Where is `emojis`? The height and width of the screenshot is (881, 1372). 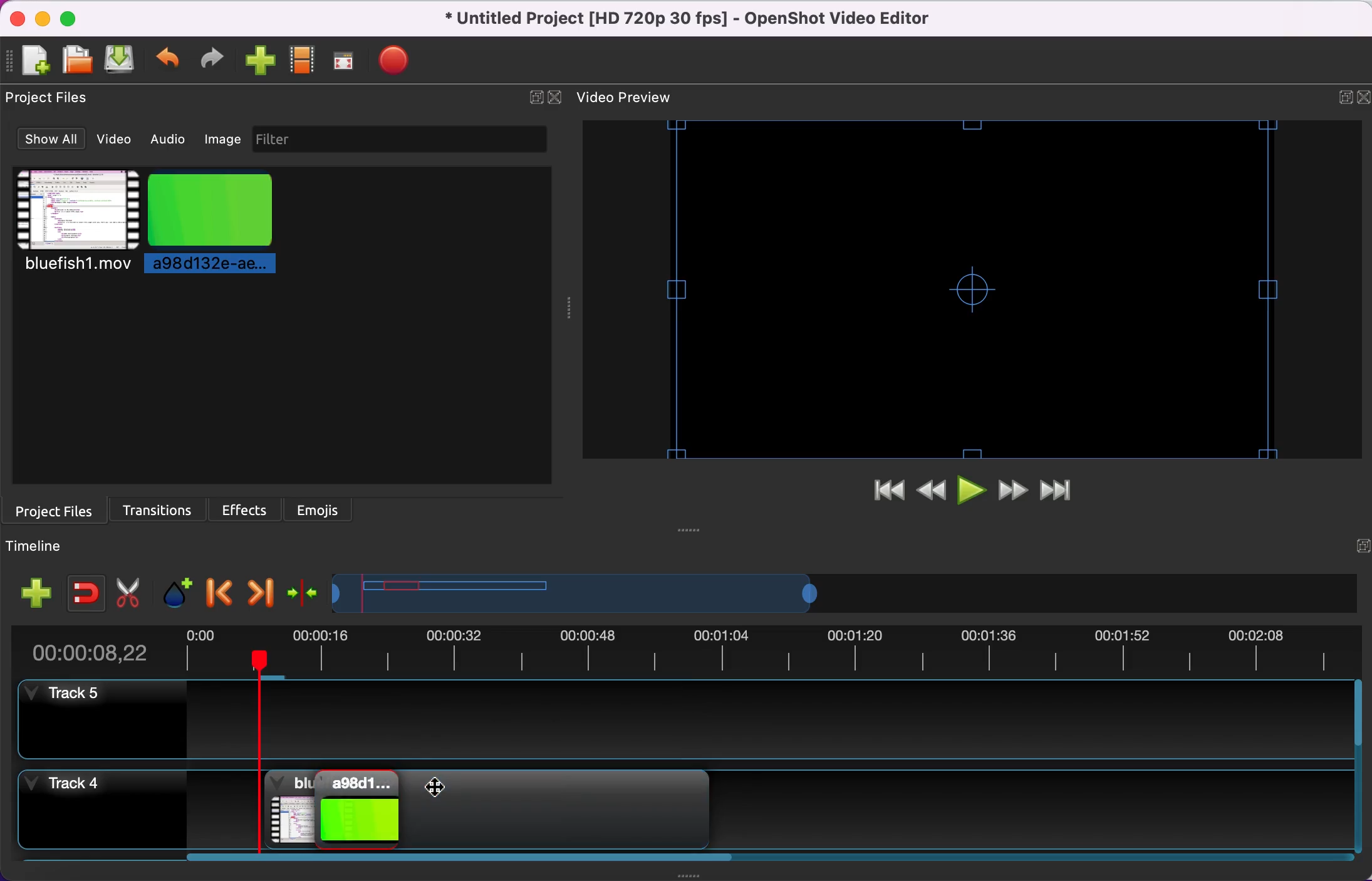
emojis is located at coordinates (326, 511).